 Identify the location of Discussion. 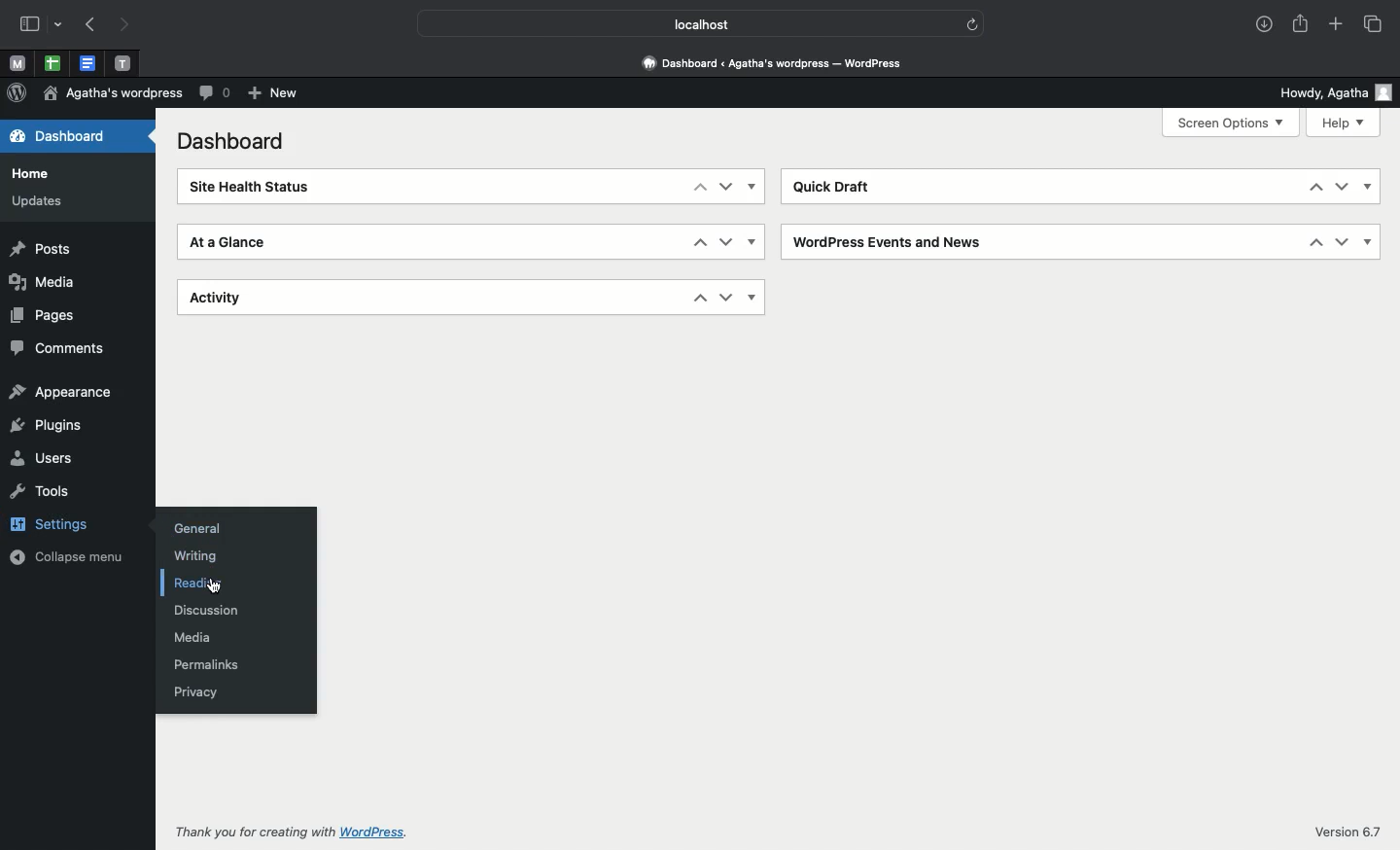
(203, 613).